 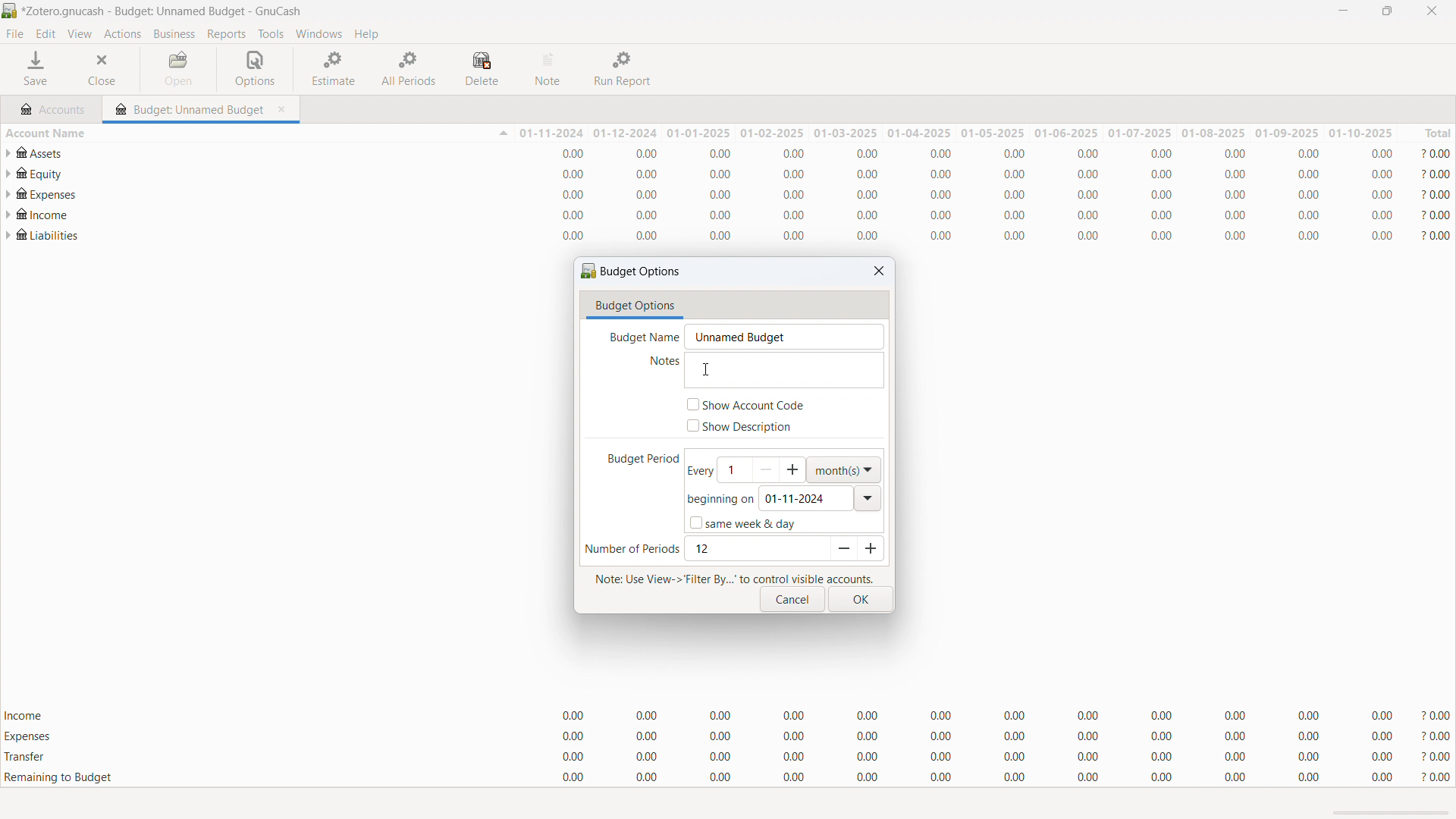 What do you see at coordinates (991, 133) in the screenshot?
I see `01-05-2025` at bounding box center [991, 133].